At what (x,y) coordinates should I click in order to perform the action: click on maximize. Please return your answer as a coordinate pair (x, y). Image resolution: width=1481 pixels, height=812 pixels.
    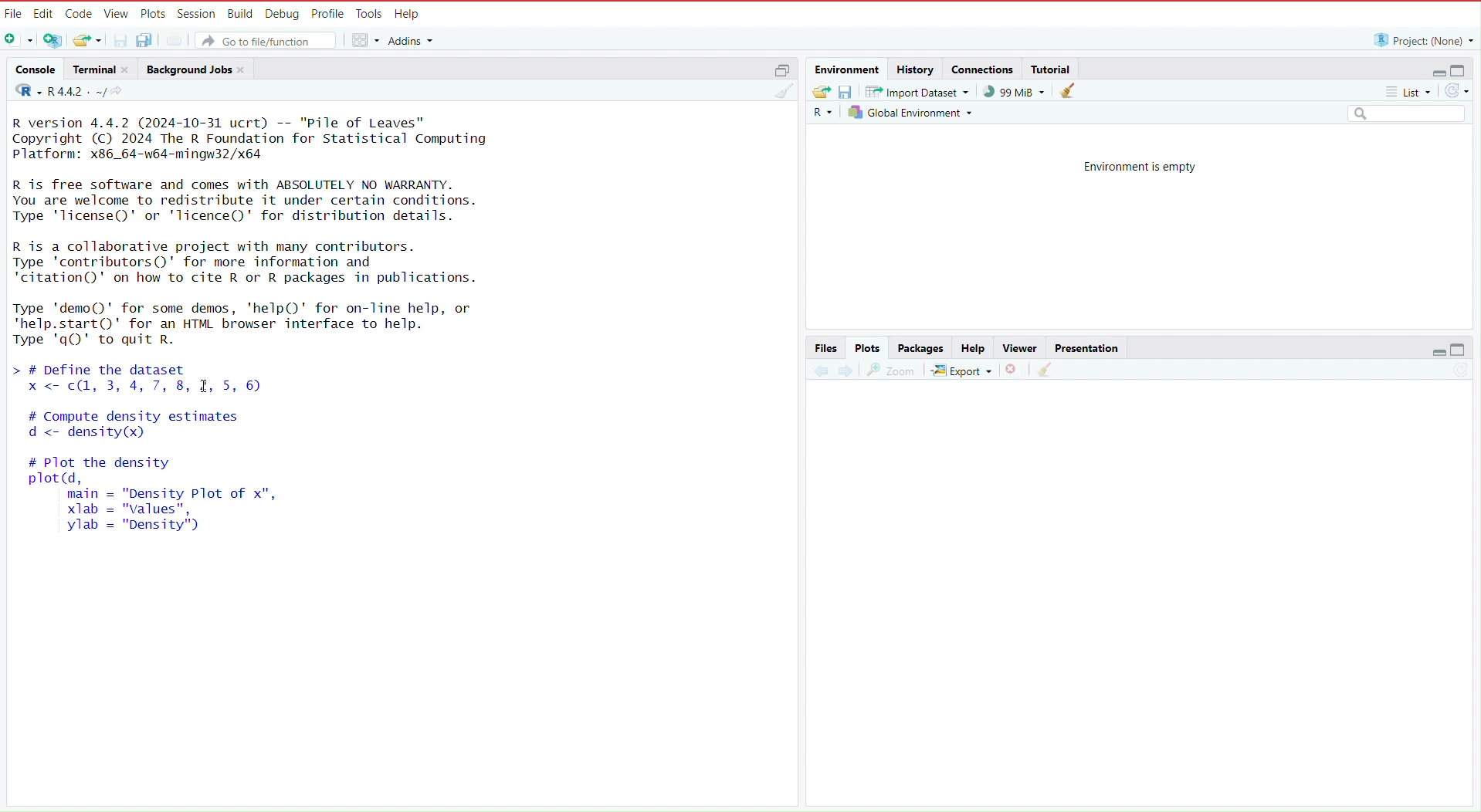
    Looking at the image, I should click on (784, 70).